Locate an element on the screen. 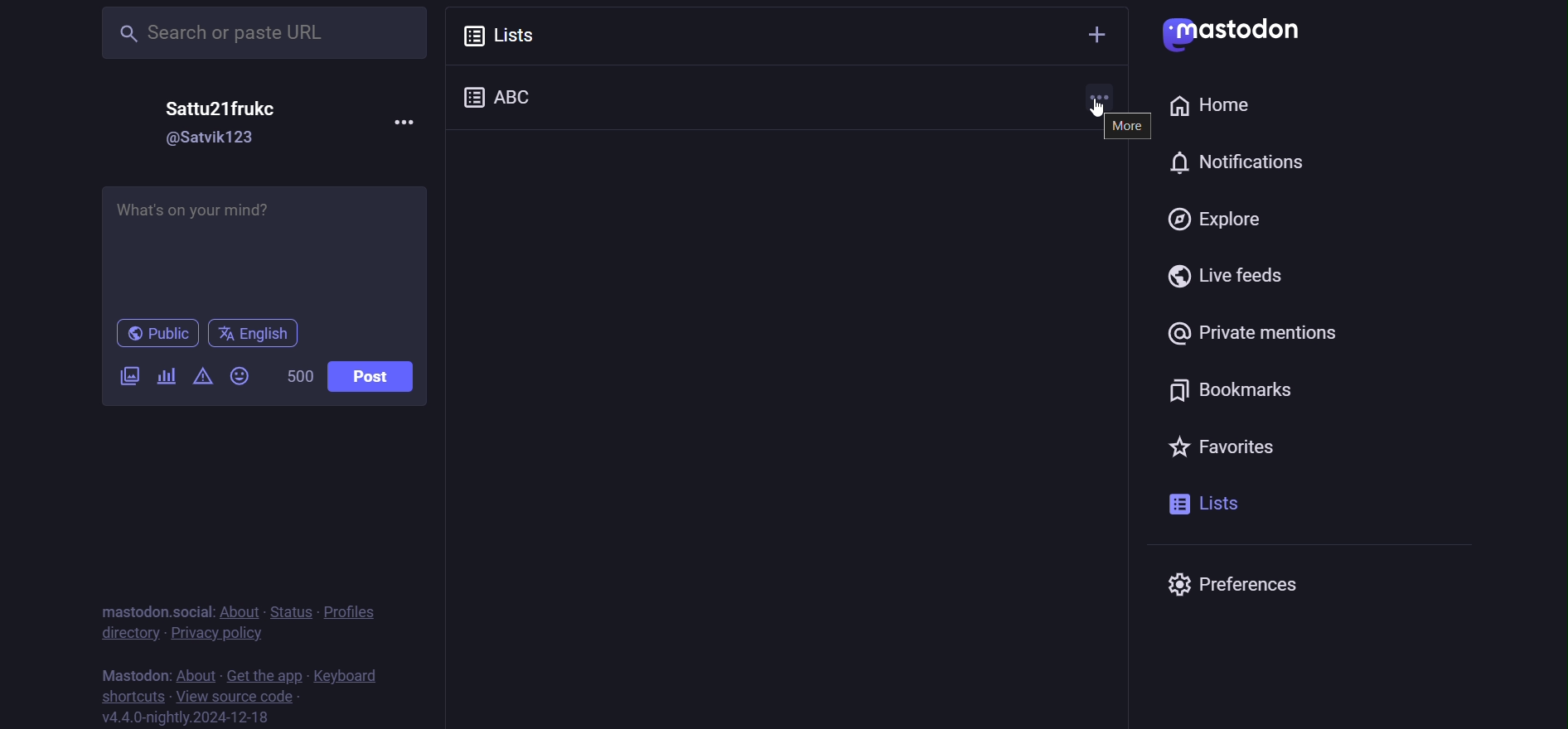  word limit is located at coordinates (296, 375).